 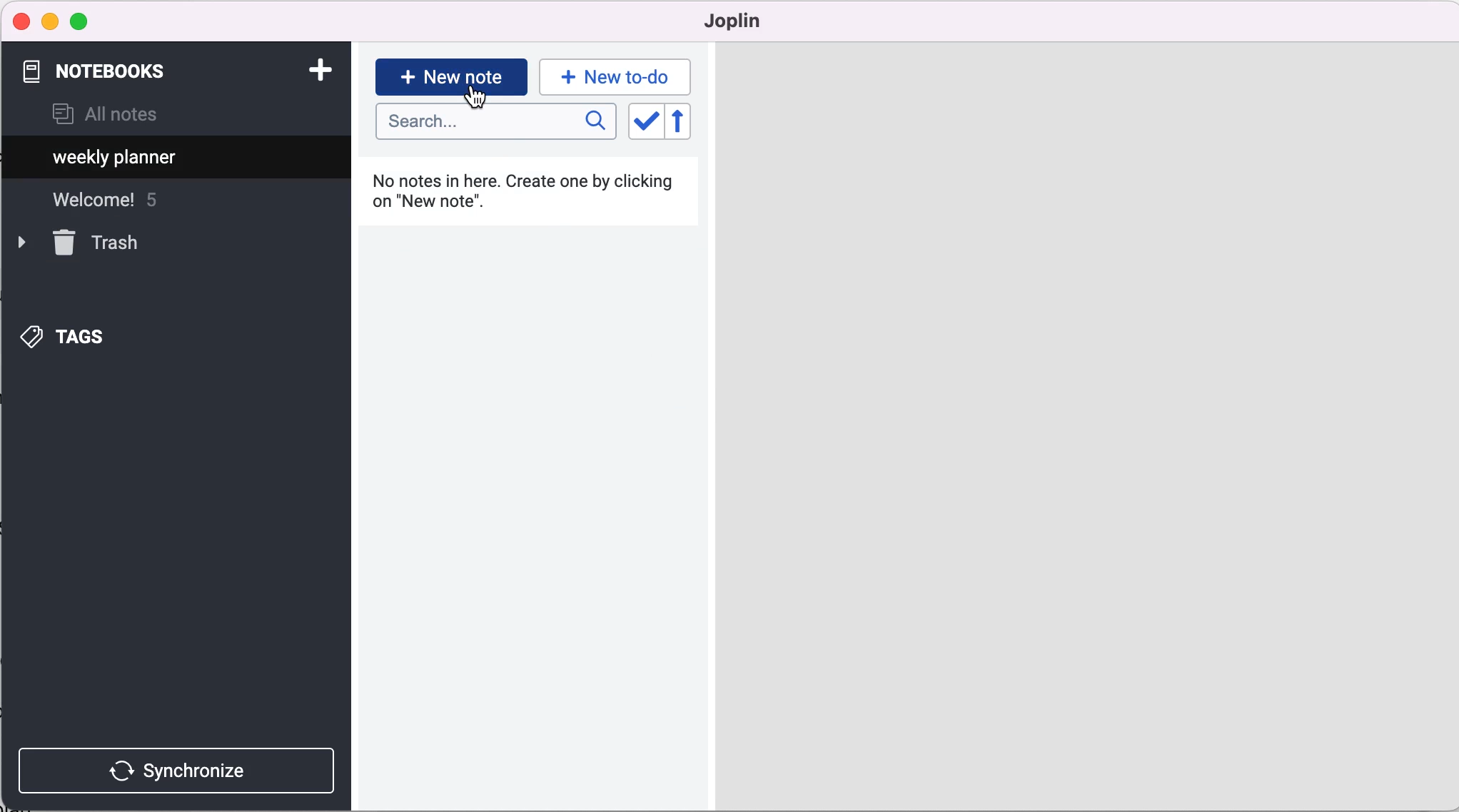 What do you see at coordinates (754, 21) in the screenshot?
I see `joplin` at bounding box center [754, 21].